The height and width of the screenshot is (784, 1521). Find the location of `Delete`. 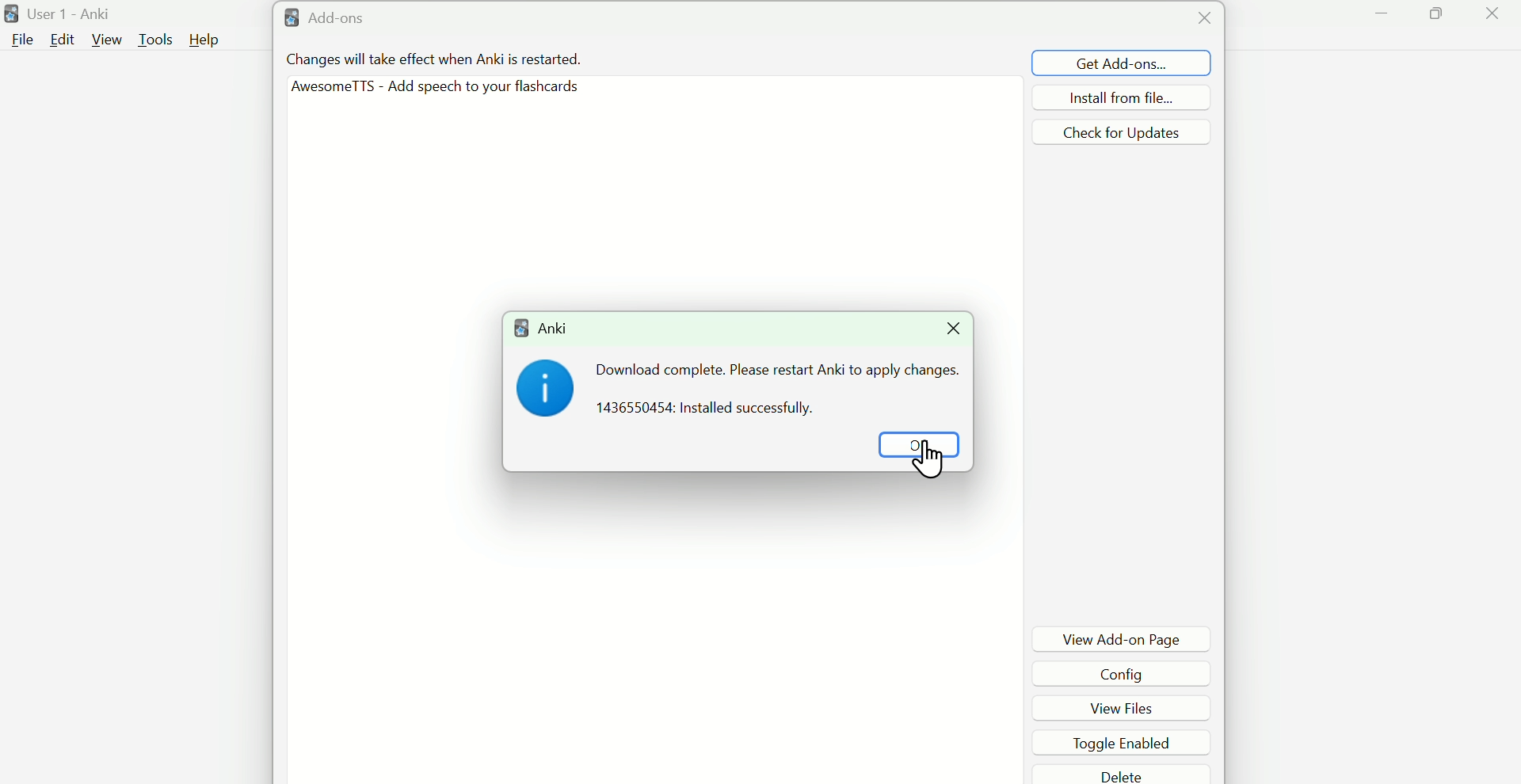

Delete is located at coordinates (1126, 774).